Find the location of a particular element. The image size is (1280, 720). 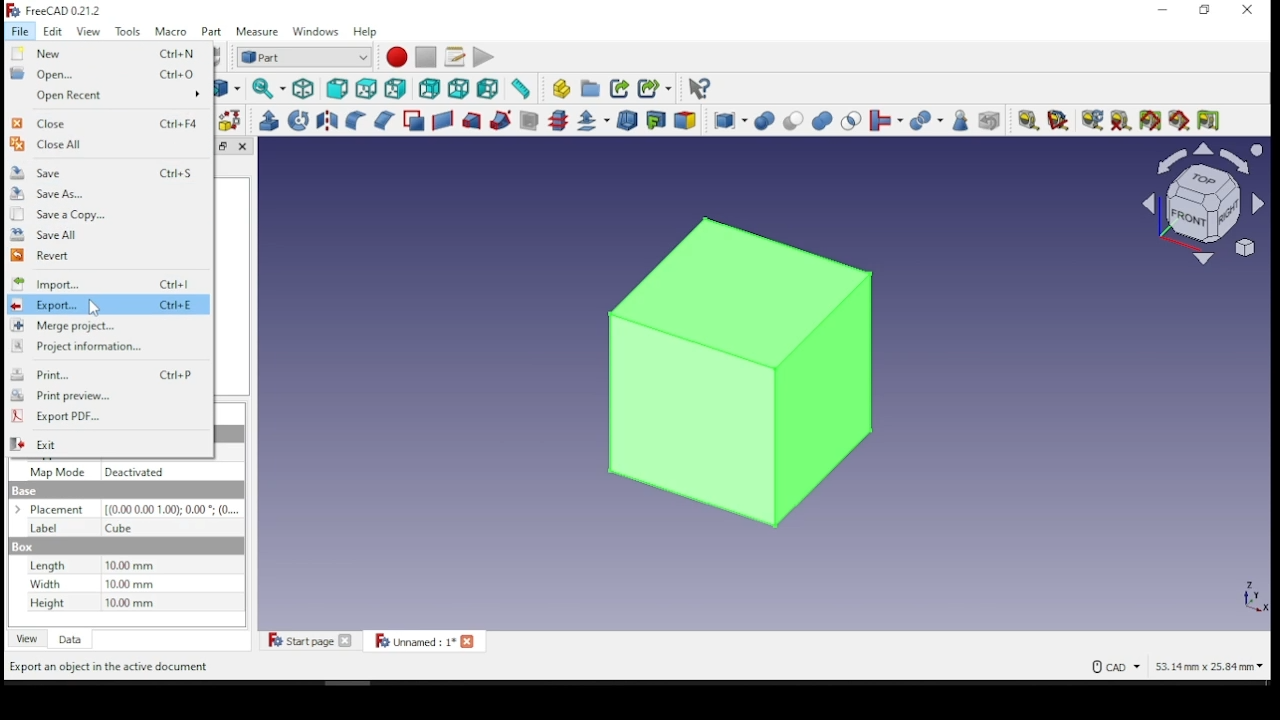

export is located at coordinates (108, 304).